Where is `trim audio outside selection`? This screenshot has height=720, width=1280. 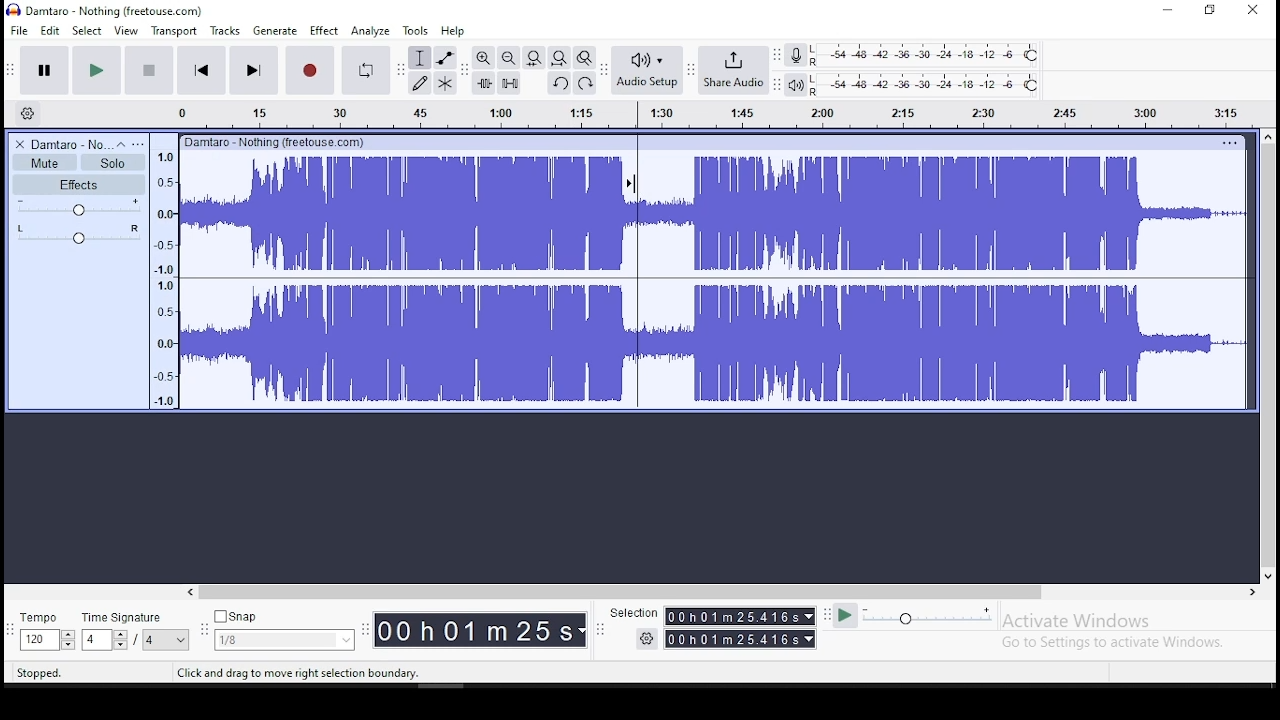 trim audio outside selection is located at coordinates (484, 82).